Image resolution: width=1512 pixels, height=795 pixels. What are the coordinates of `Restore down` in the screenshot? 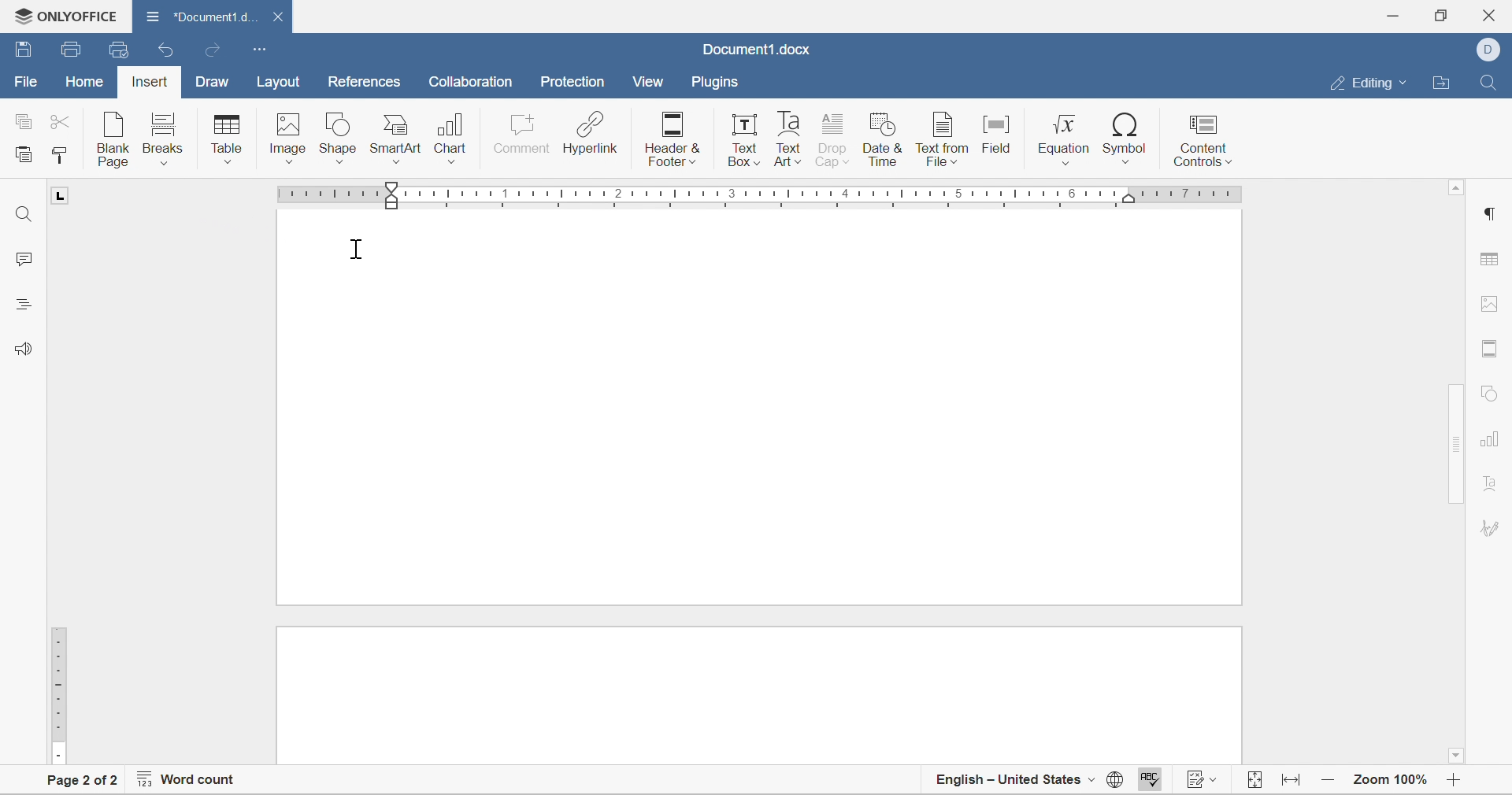 It's located at (1443, 15).